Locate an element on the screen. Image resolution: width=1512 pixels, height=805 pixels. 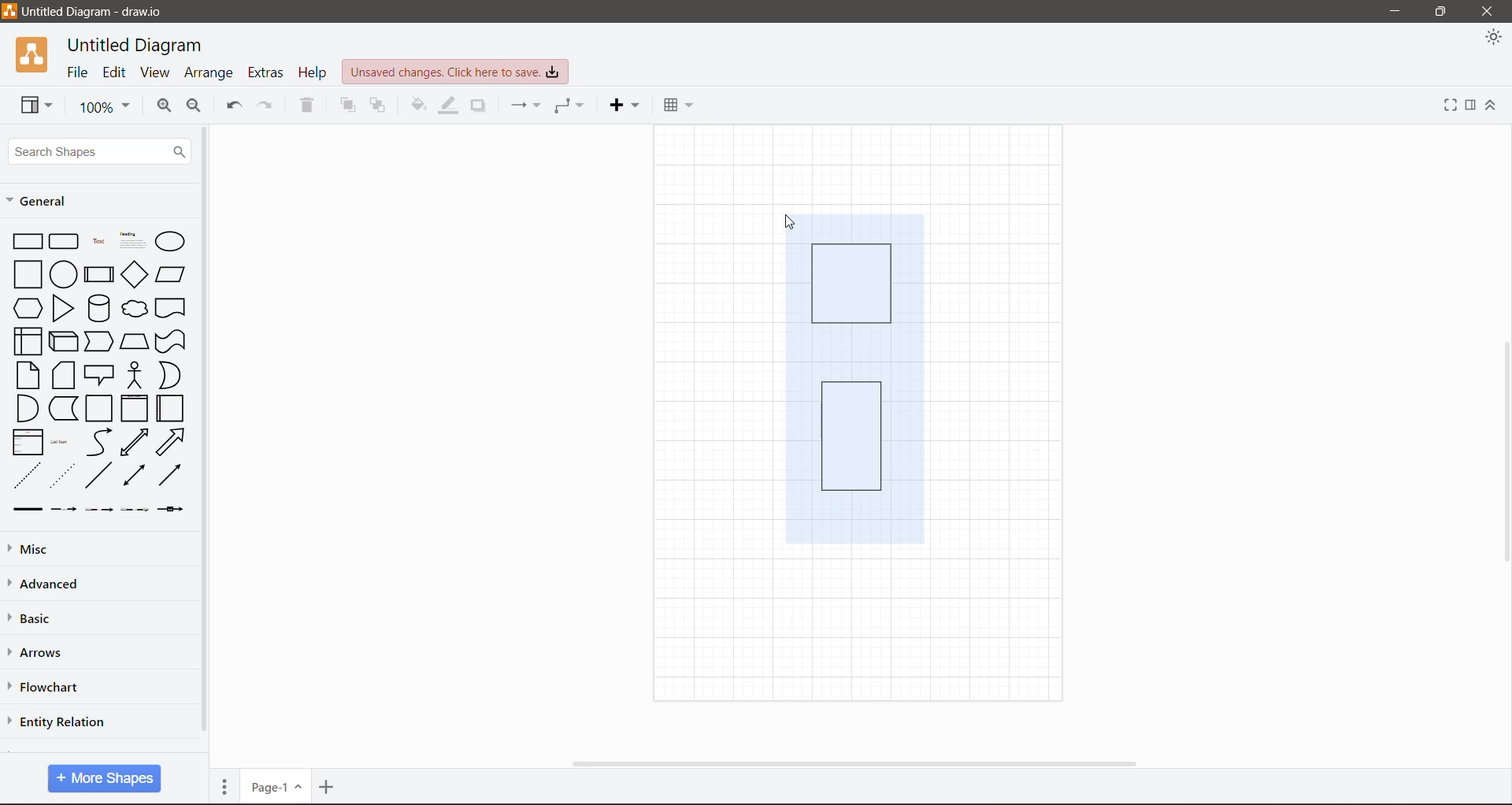
Edit is located at coordinates (115, 73).